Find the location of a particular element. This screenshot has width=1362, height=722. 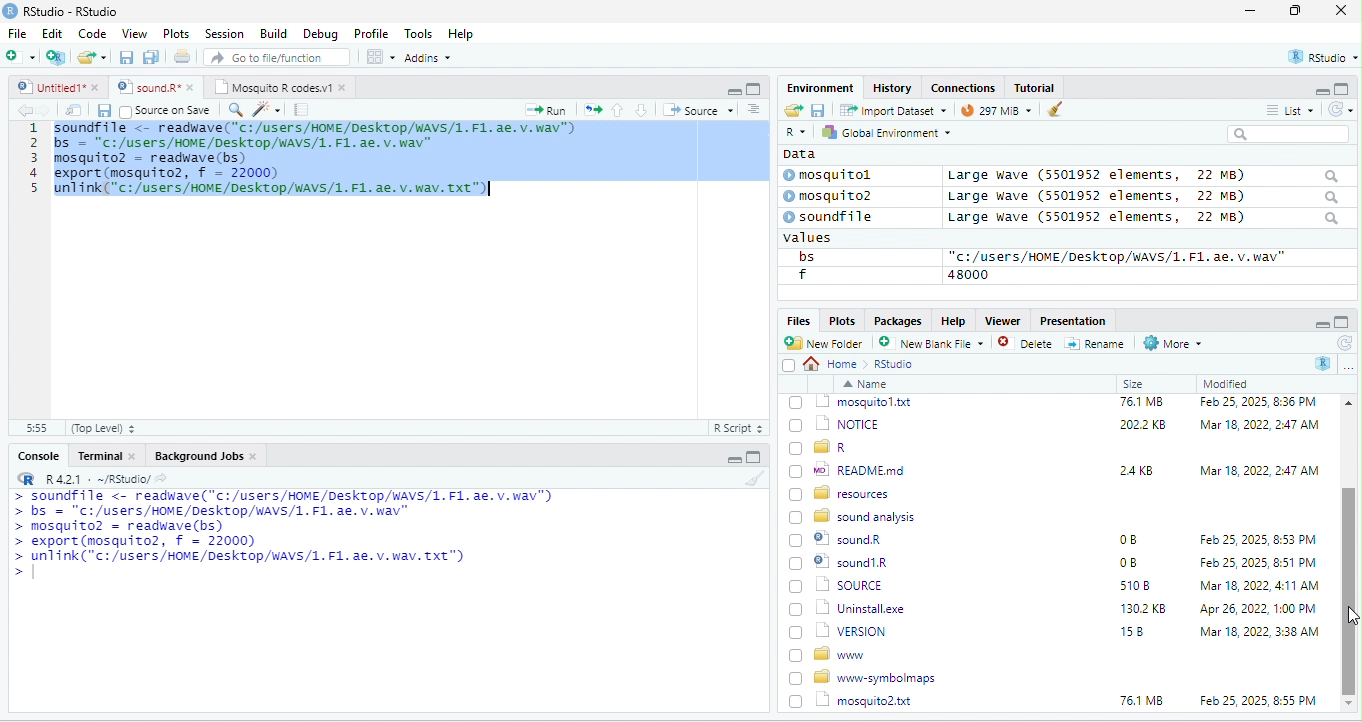

Presentation is located at coordinates (1071, 320).